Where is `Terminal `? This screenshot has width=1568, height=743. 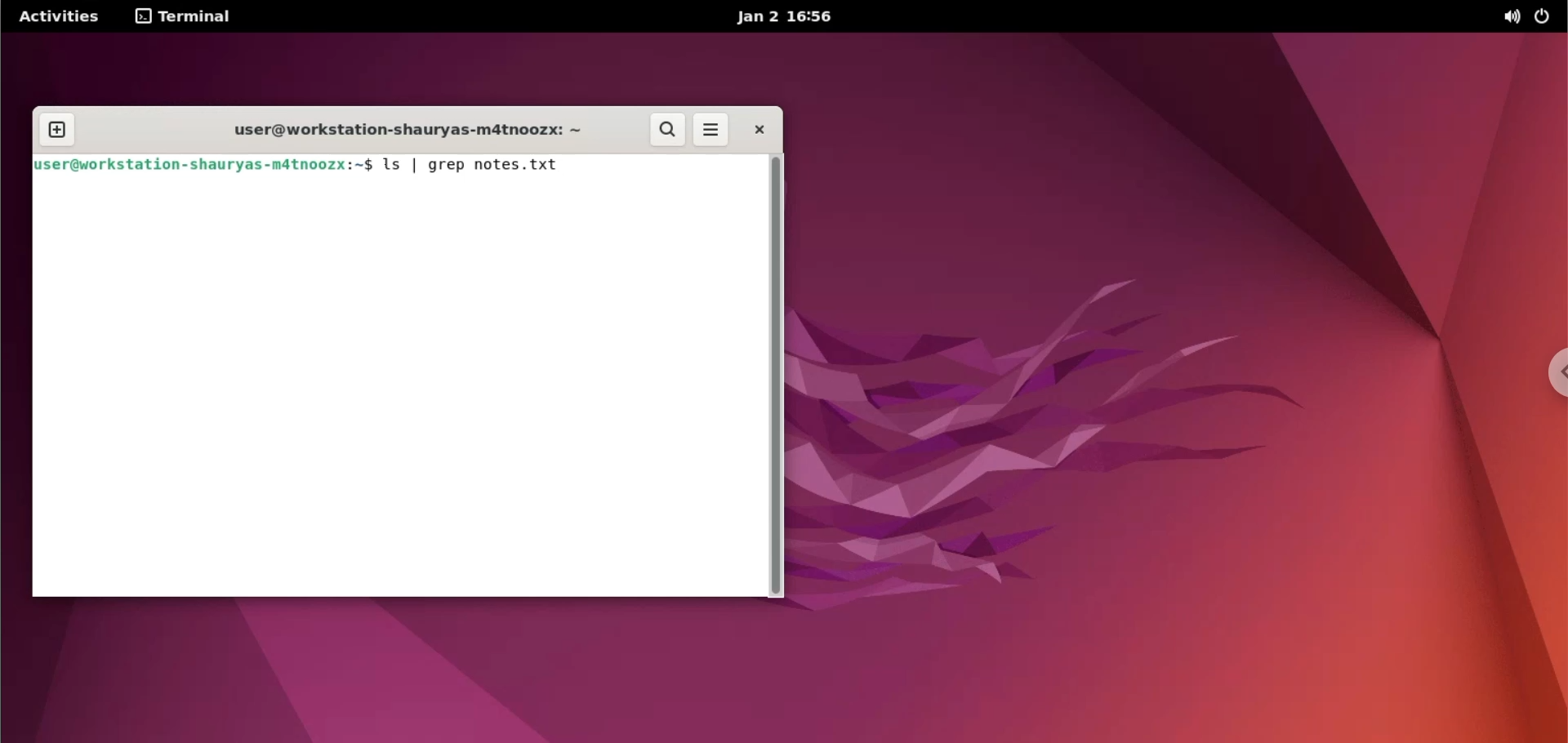 Terminal  is located at coordinates (187, 16).